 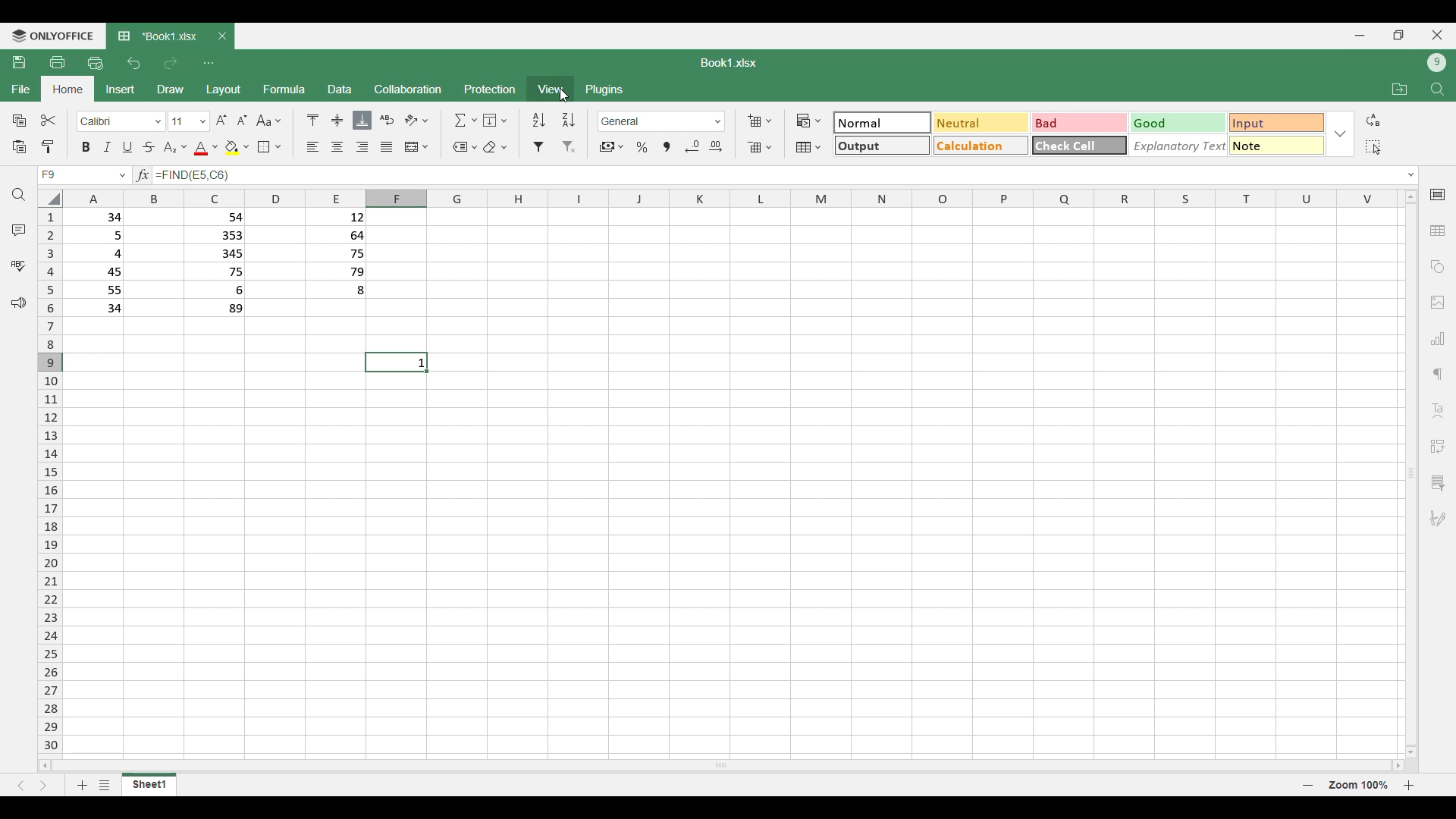 What do you see at coordinates (385, 147) in the screenshot?
I see `Justified alignment` at bounding box center [385, 147].